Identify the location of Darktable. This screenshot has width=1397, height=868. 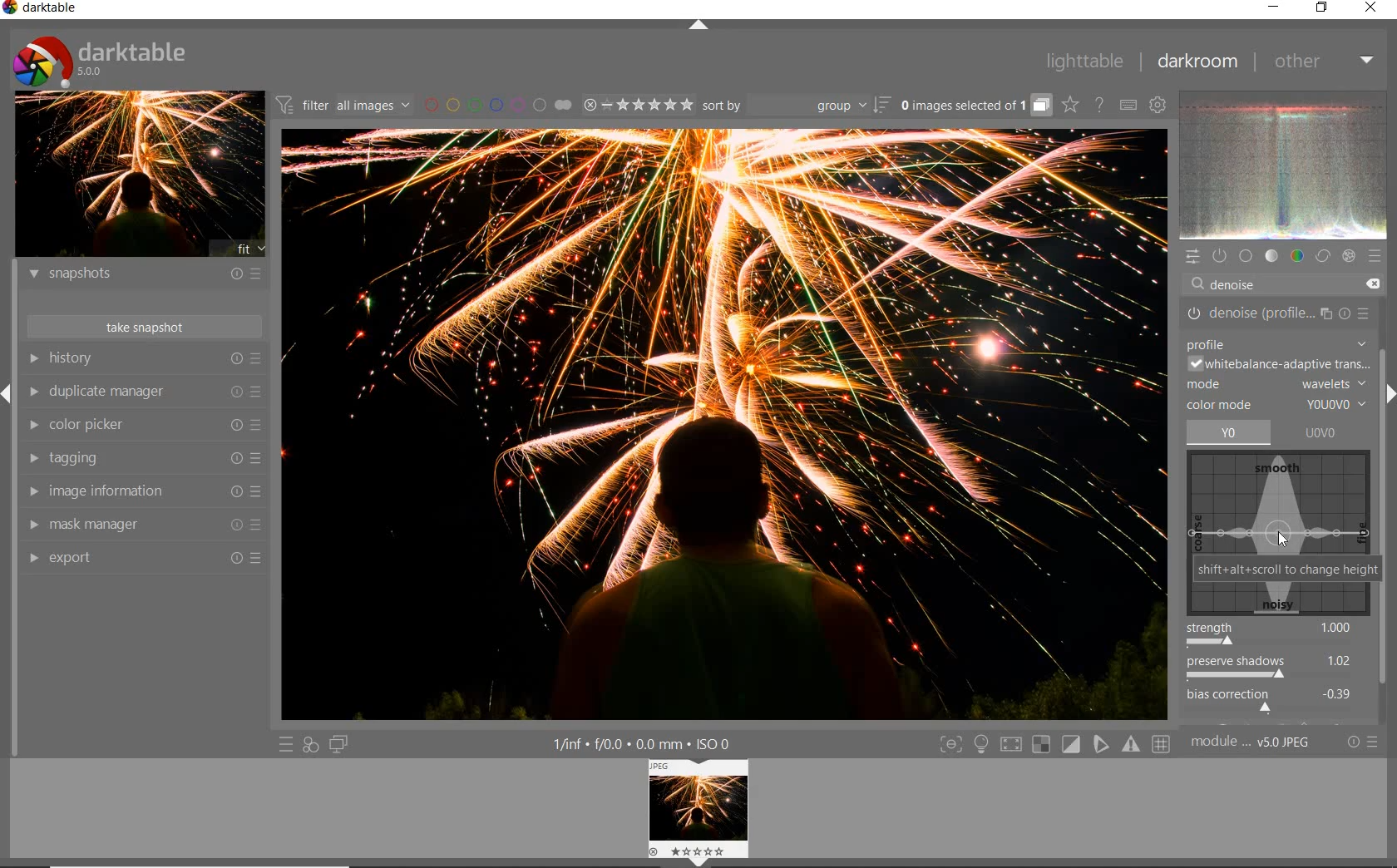
(42, 9).